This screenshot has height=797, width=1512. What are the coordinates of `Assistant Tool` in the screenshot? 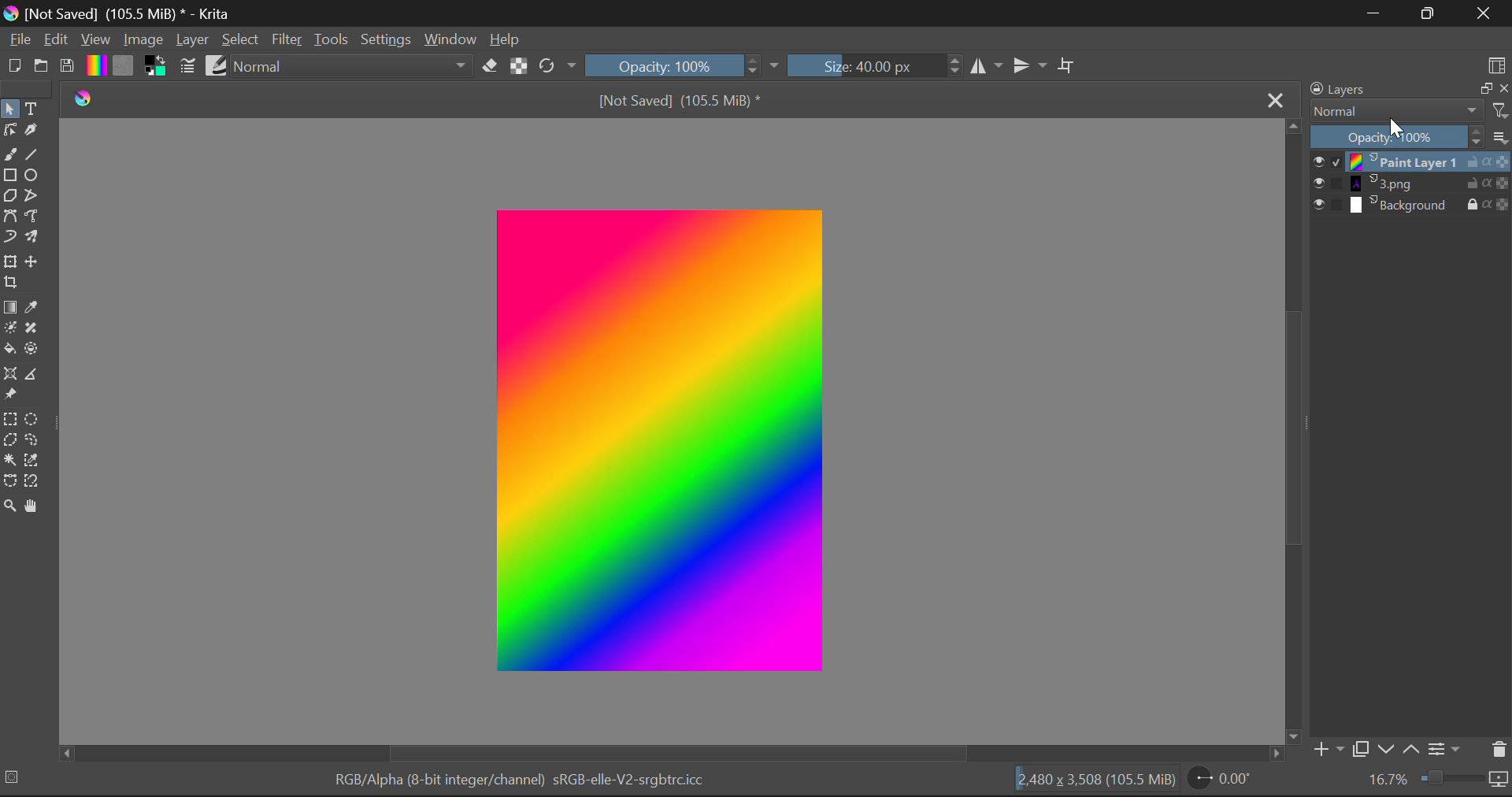 It's located at (13, 374).